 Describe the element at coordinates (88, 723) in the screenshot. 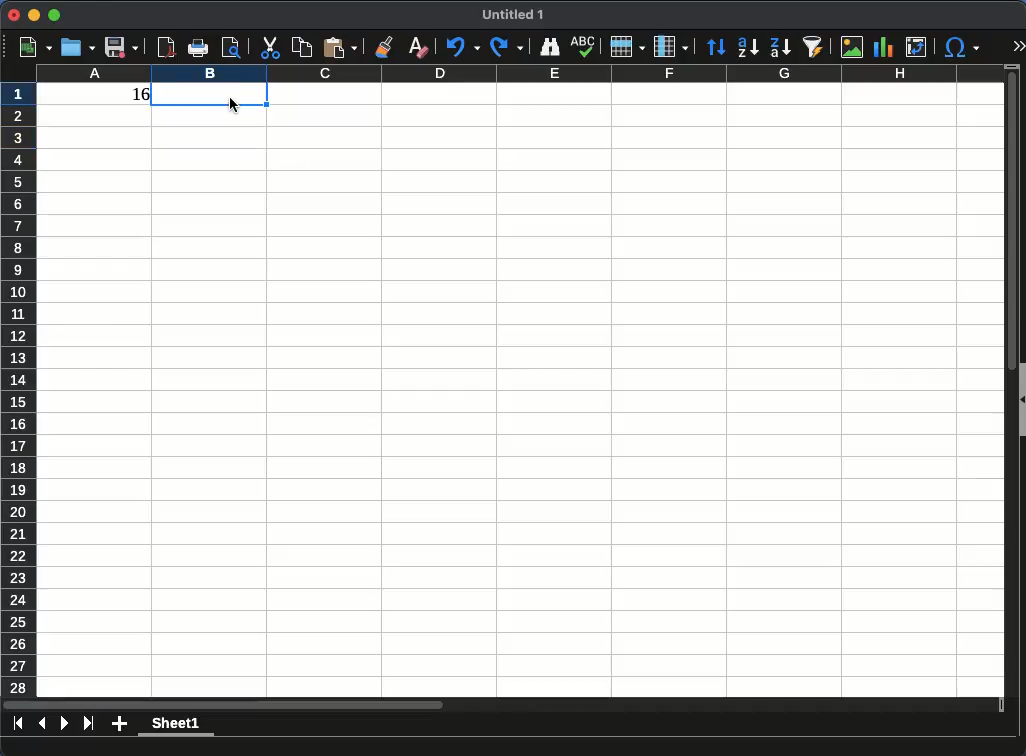

I see `last sheet` at that location.